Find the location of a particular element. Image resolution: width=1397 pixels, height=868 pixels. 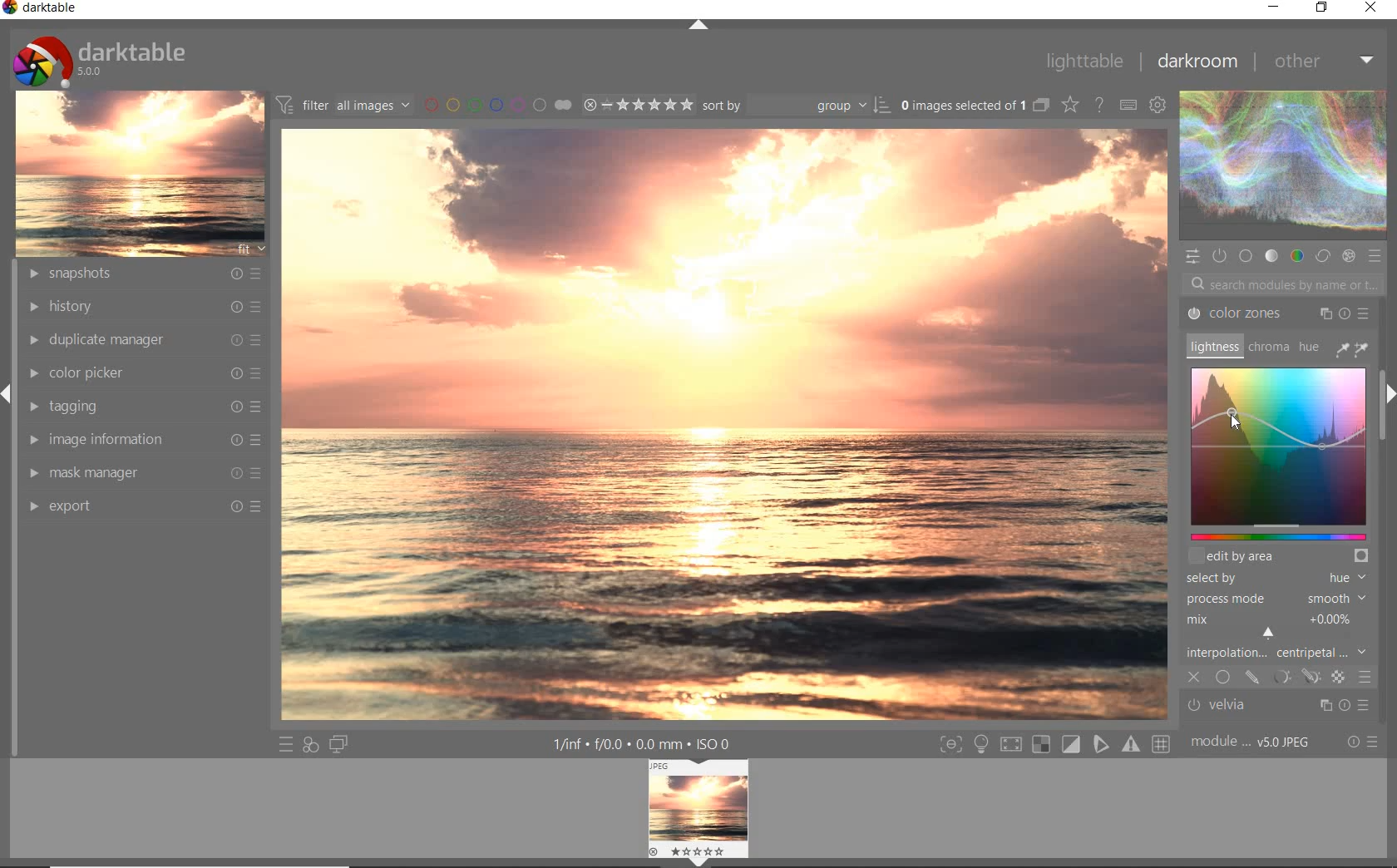

darktable is located at coordinates (42, 9).